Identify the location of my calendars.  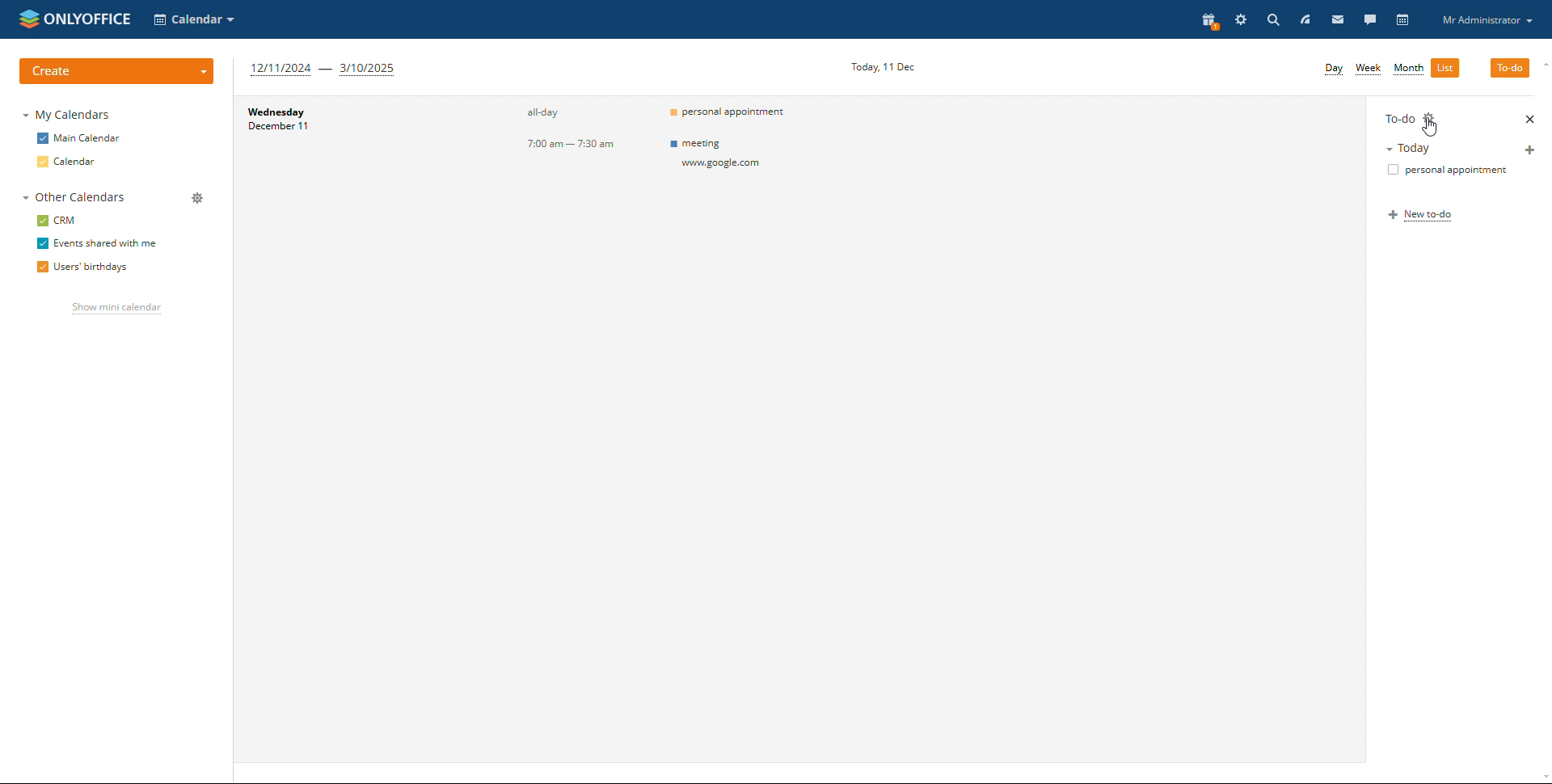
(69, 114).